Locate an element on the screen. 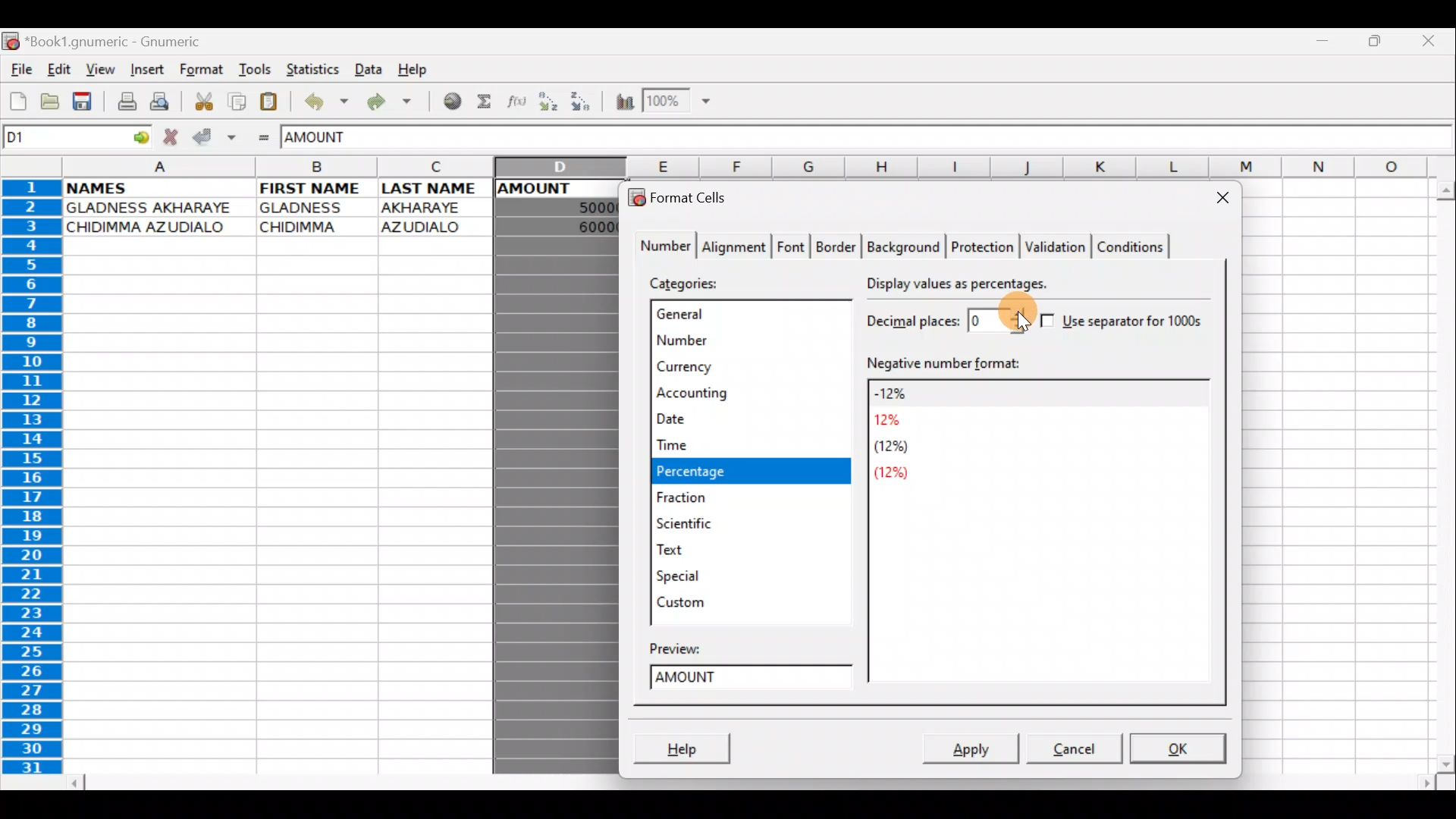 This screenshot has height=819, width=1456. Negative number format: is located at coordinates (1034, 362).